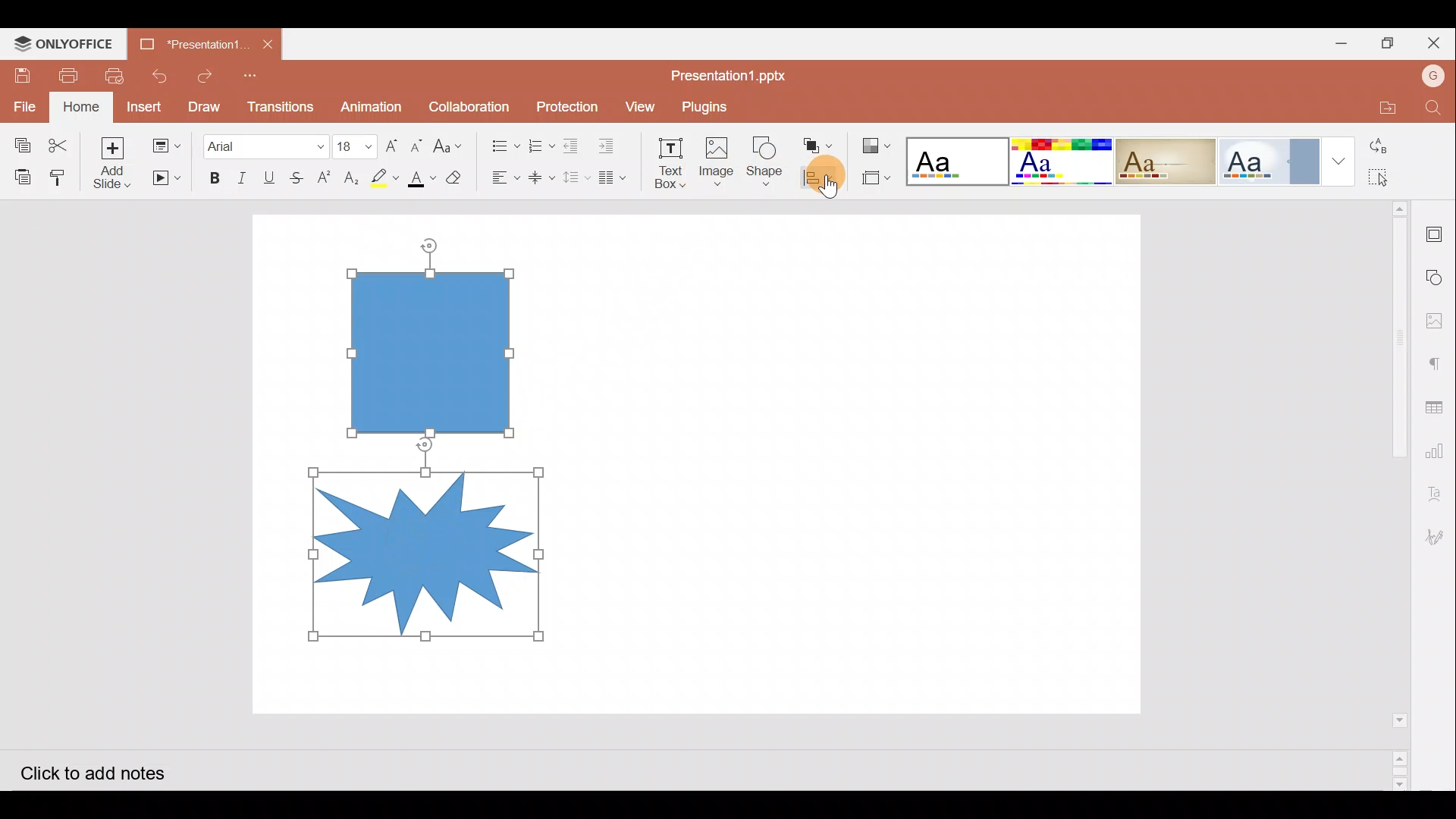 The image size is (1456, 819). Describe the element at coordinates (878, 142) in the screenshot. I see `Change colour theme` at that location.